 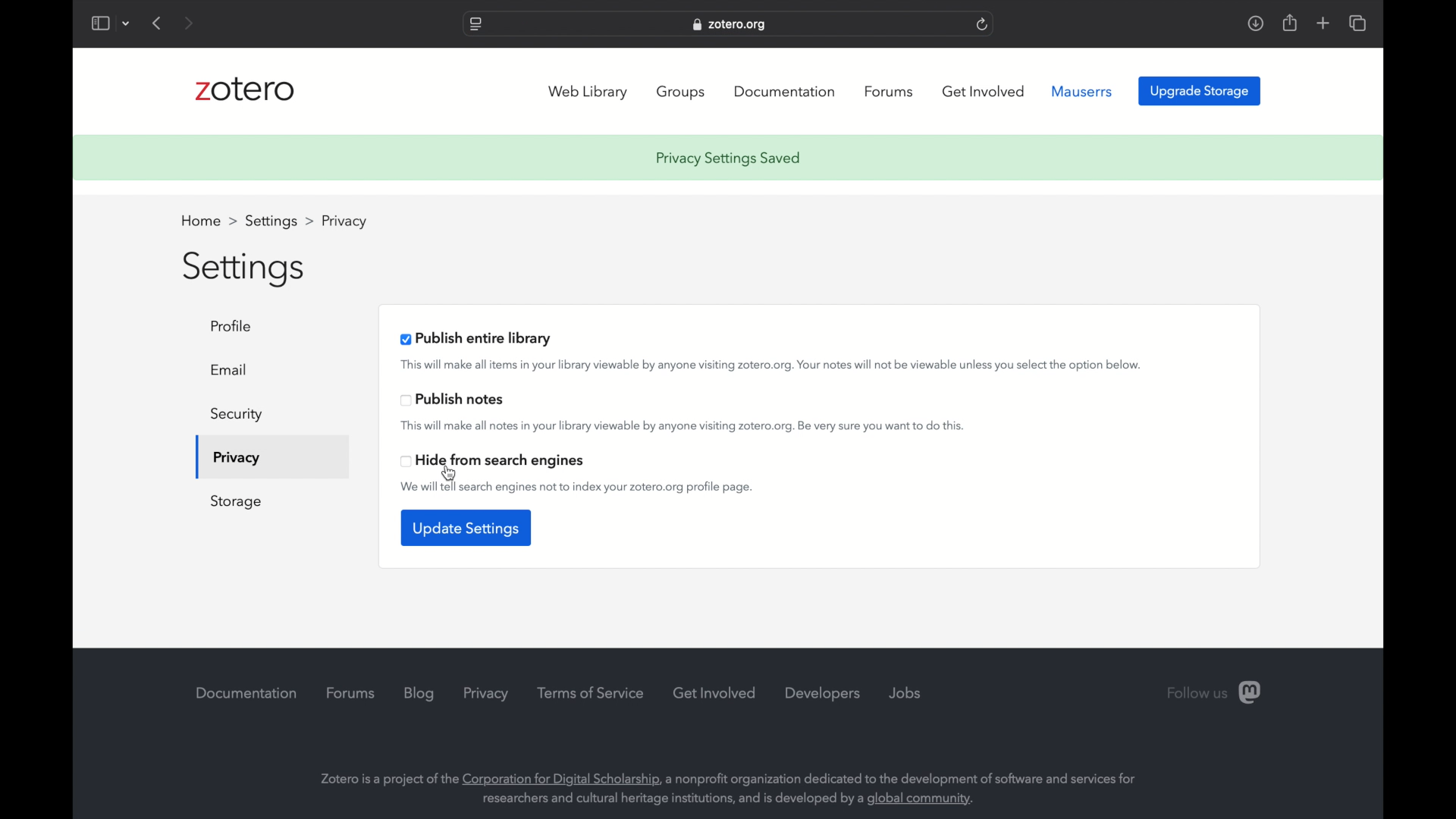 What do you see at coordinates (236, 501) in the screenshot?
I see `storage` at bounding box center [236, 501].